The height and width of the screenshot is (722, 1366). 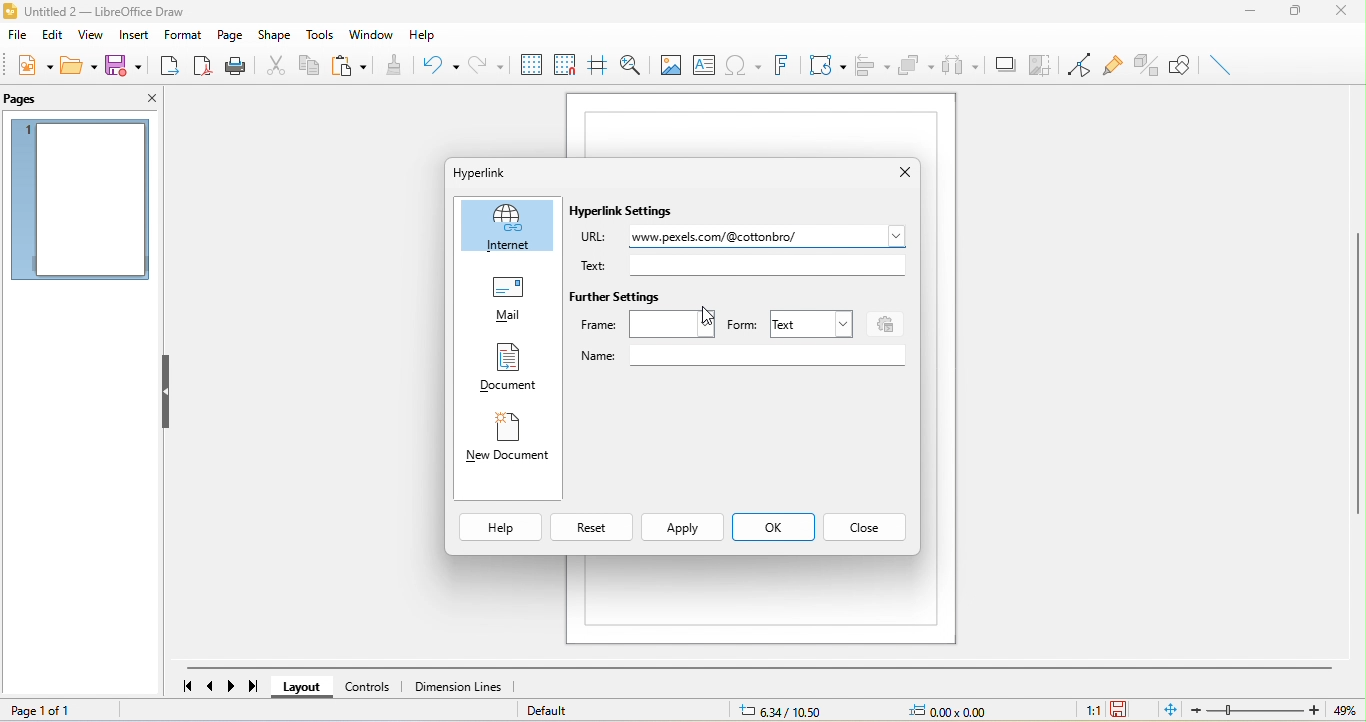 I want to click on export, so click(x=170, y=65).